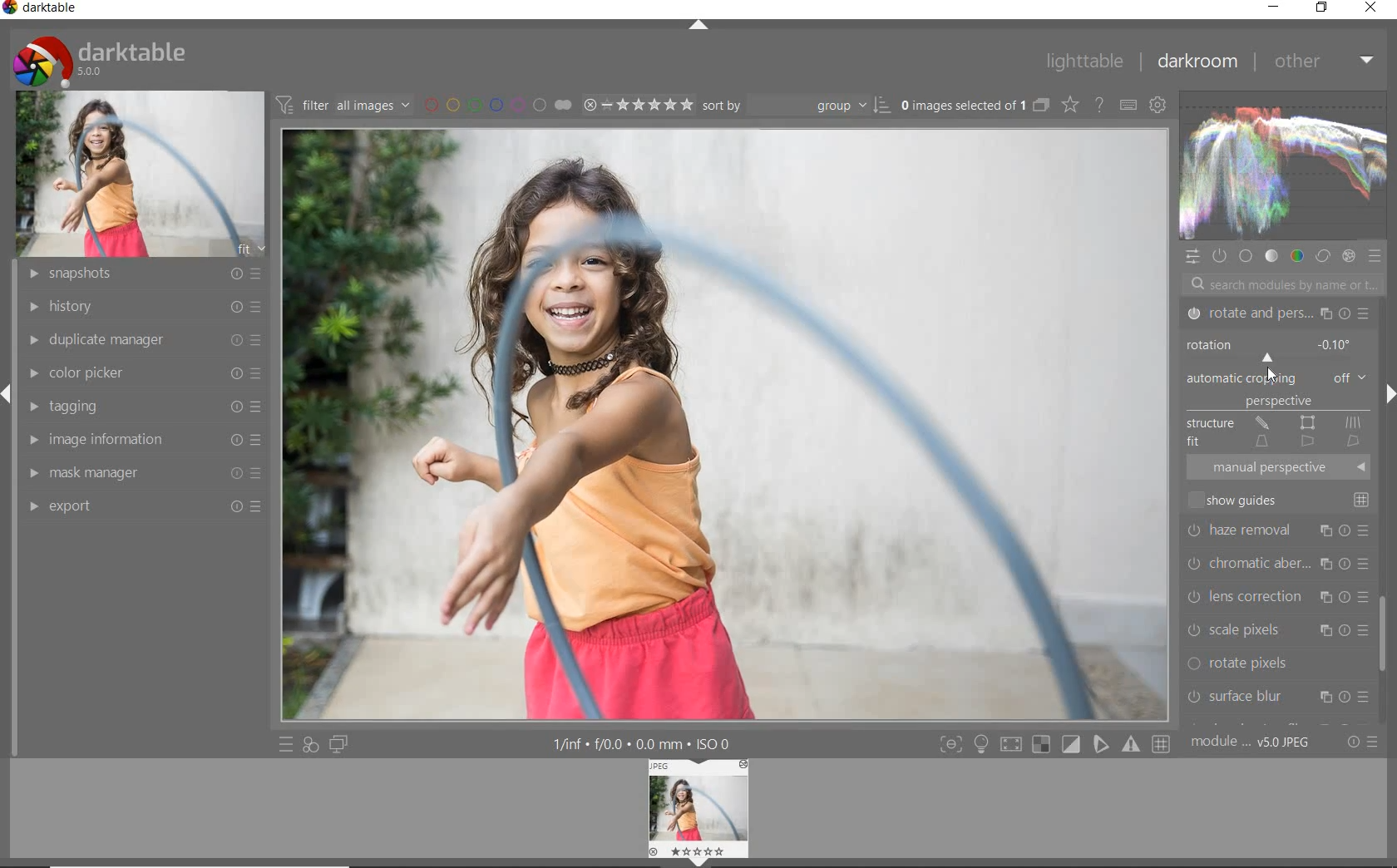 This screenshot has width=1397, height=868. Describe the element at coordinates (1276, 314) in the screenshot. I see `ROTATE & PERSPECTIVE` at that location.